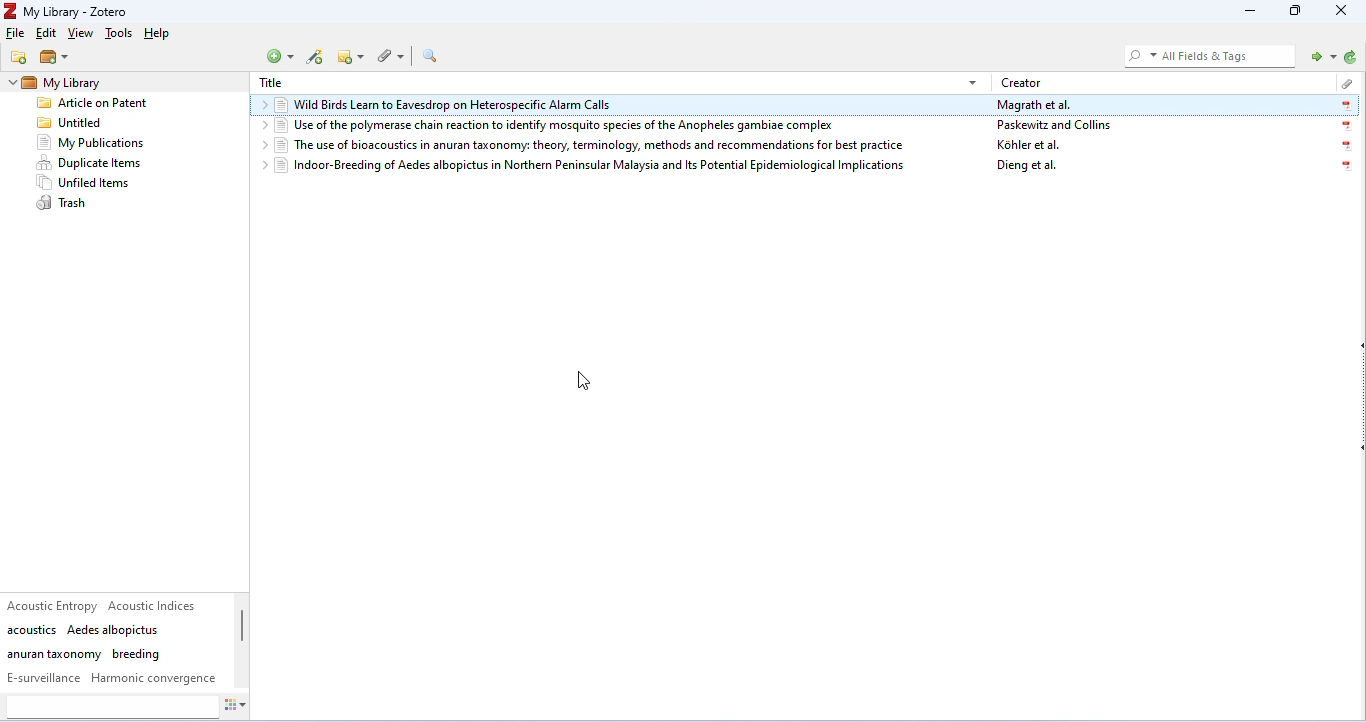  What do you see at coordinates (45, 35) in the screenshot?
I see `edit` at bounding box center [45, 35].